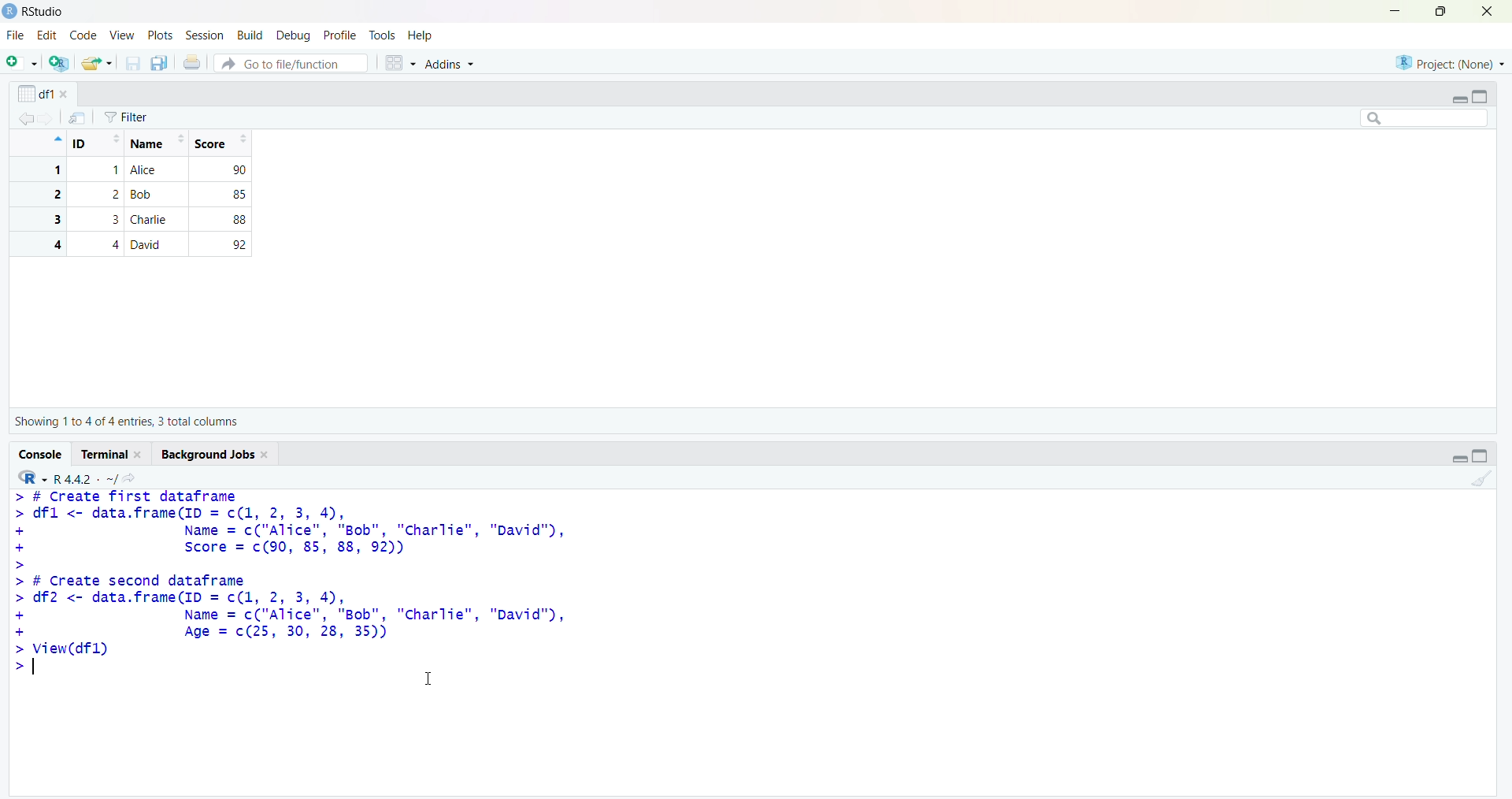 This screenshot has height=799, width=1512. I want to click on Score, so click(222, 143).